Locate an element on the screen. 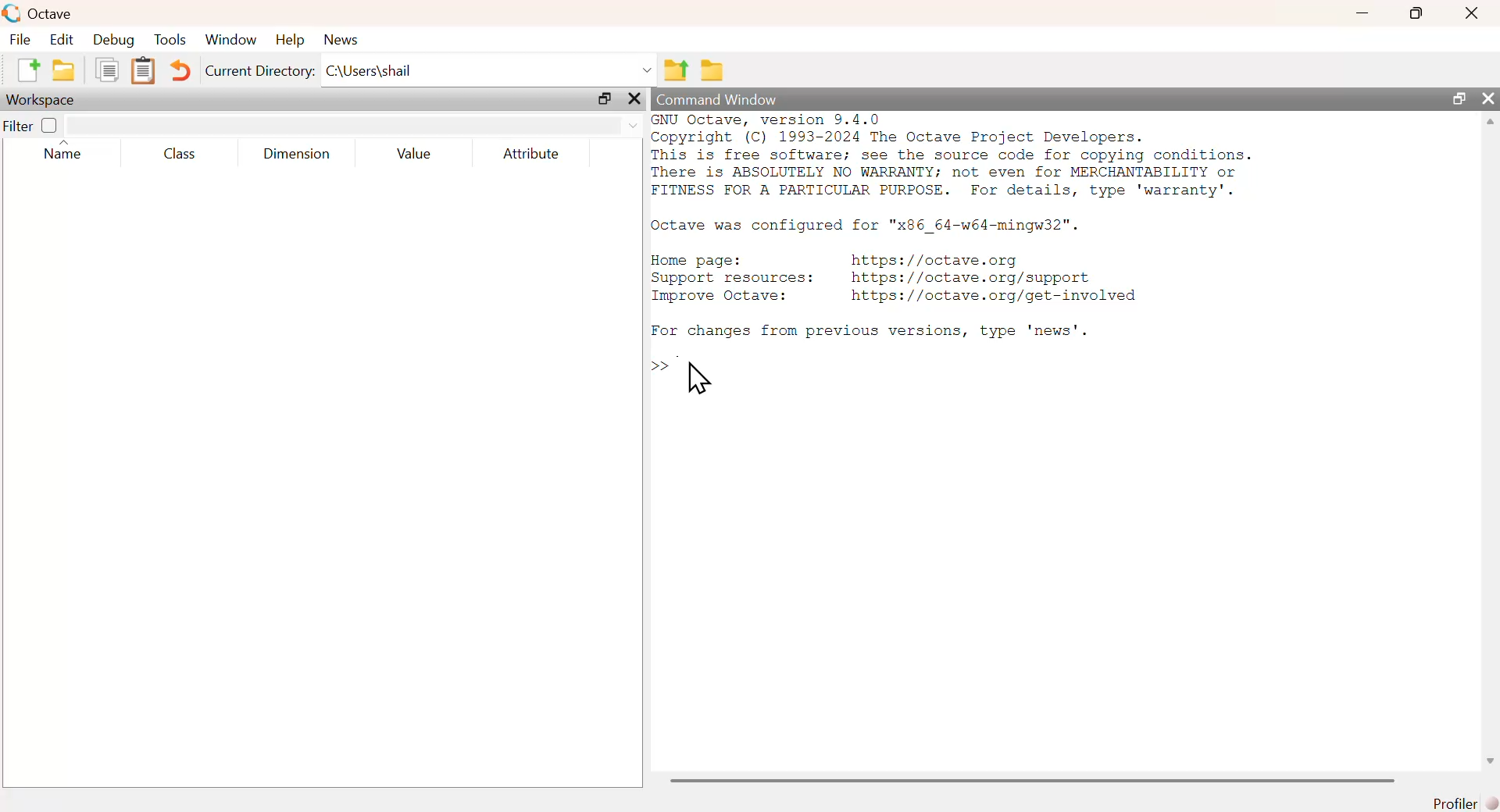 This screenshot has height=812, width=1500. paste is located at coordinates (143, 71).